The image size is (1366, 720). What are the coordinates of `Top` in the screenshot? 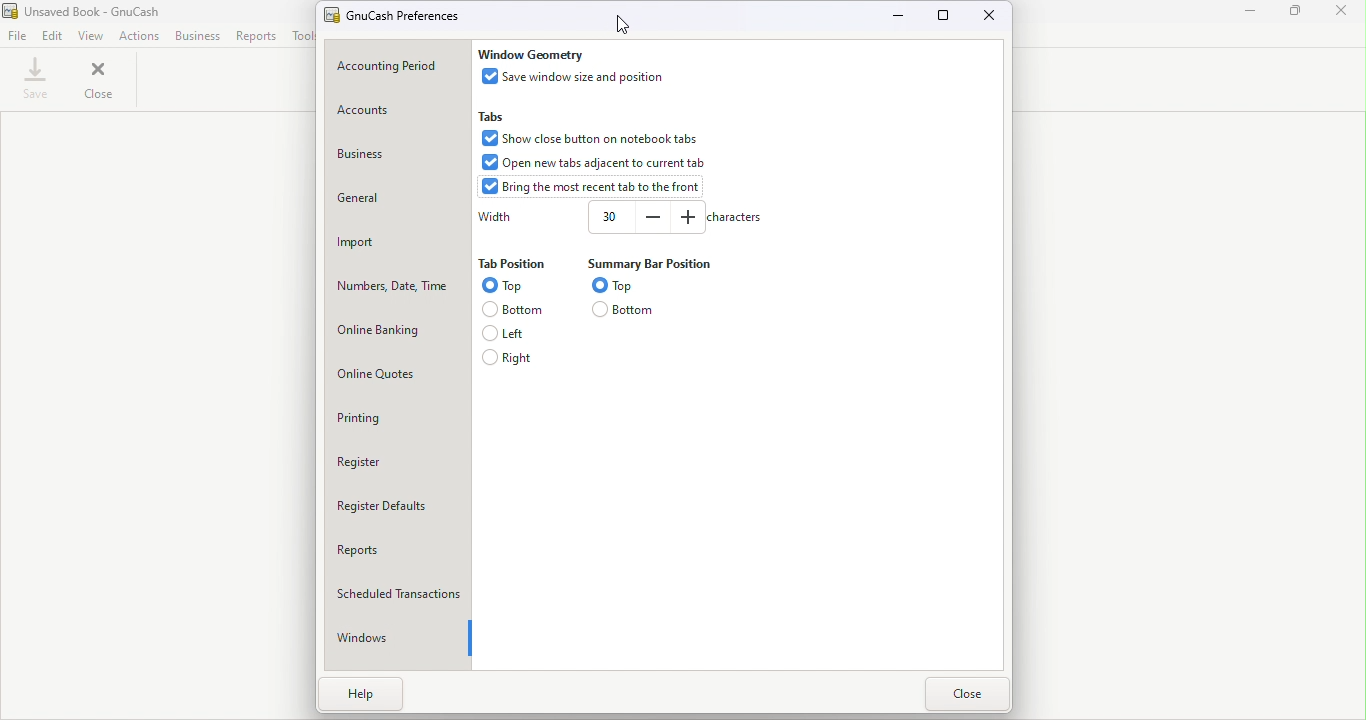 It's located at (617, 284).